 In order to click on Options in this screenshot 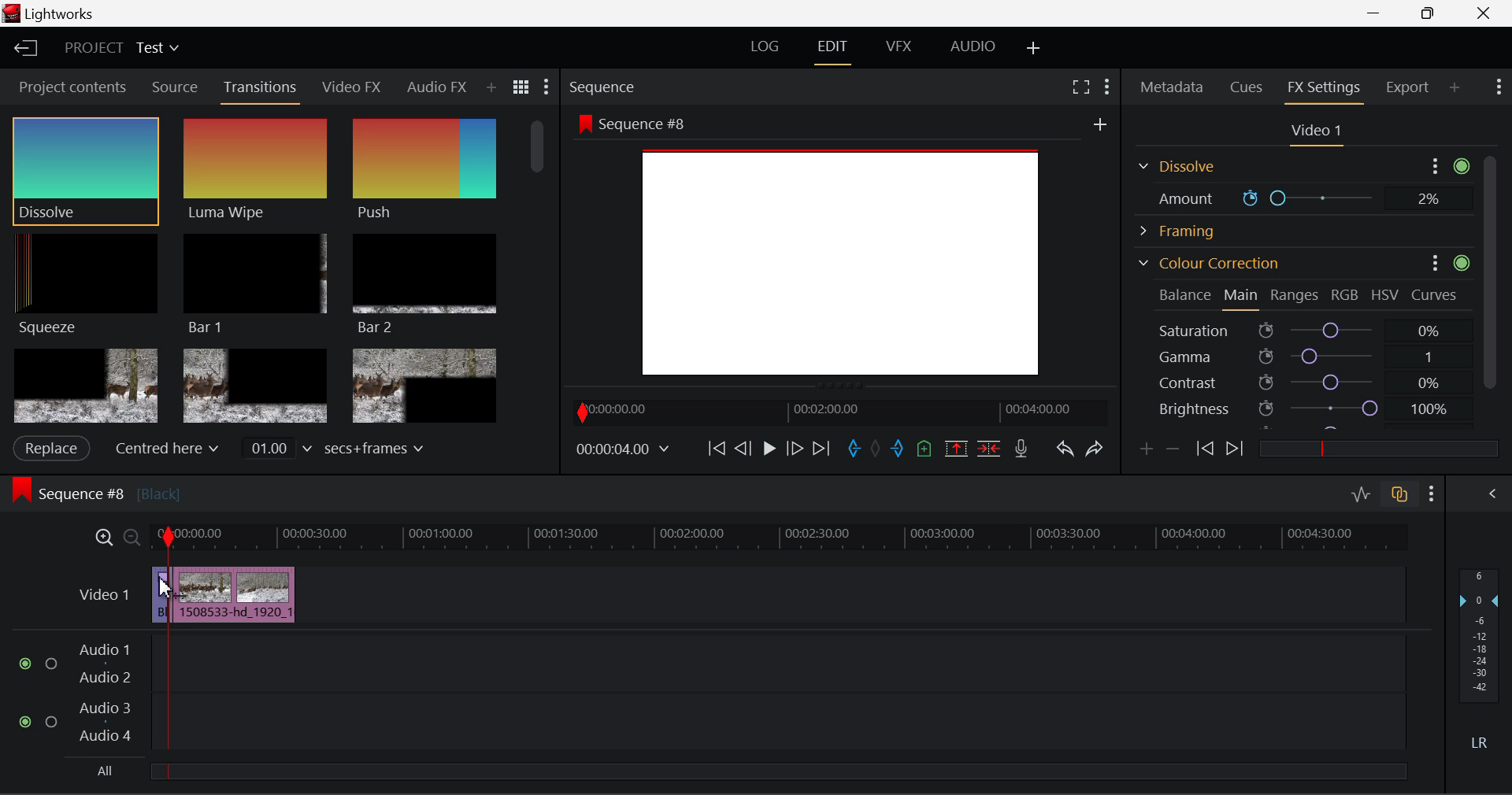, I will do `click(1434, 166)`.